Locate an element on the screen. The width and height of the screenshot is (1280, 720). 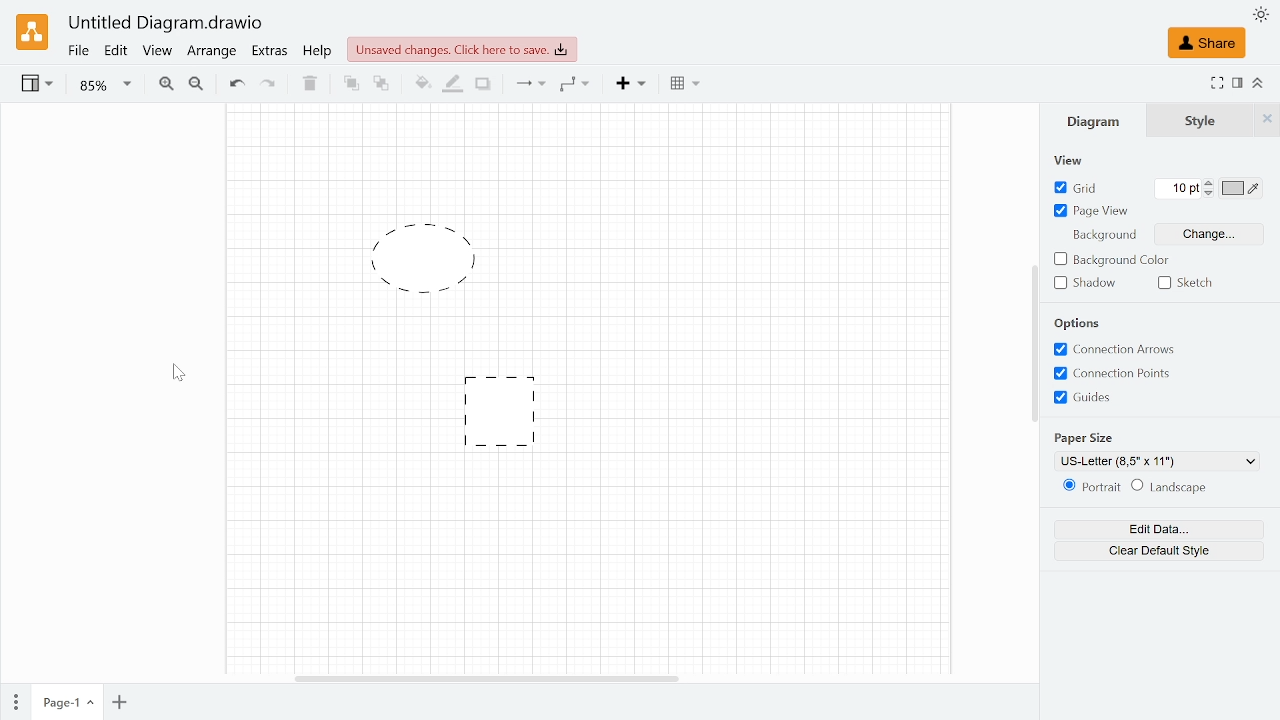
Fill line is located at coordinates (450, 85).